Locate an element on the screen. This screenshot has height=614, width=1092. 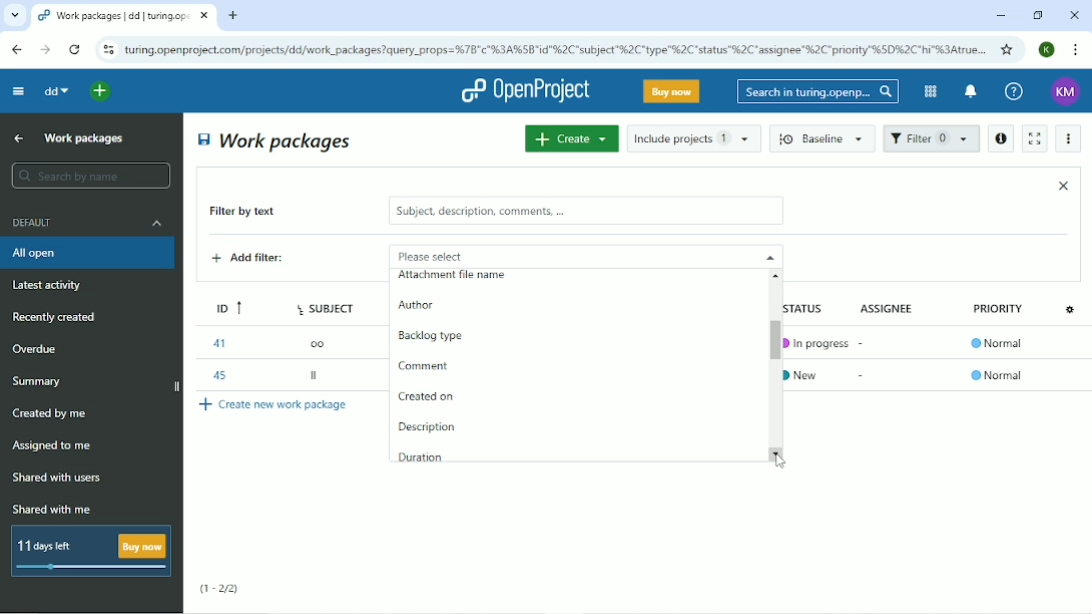
(1-2/2) is located at coordinates (220, 589).